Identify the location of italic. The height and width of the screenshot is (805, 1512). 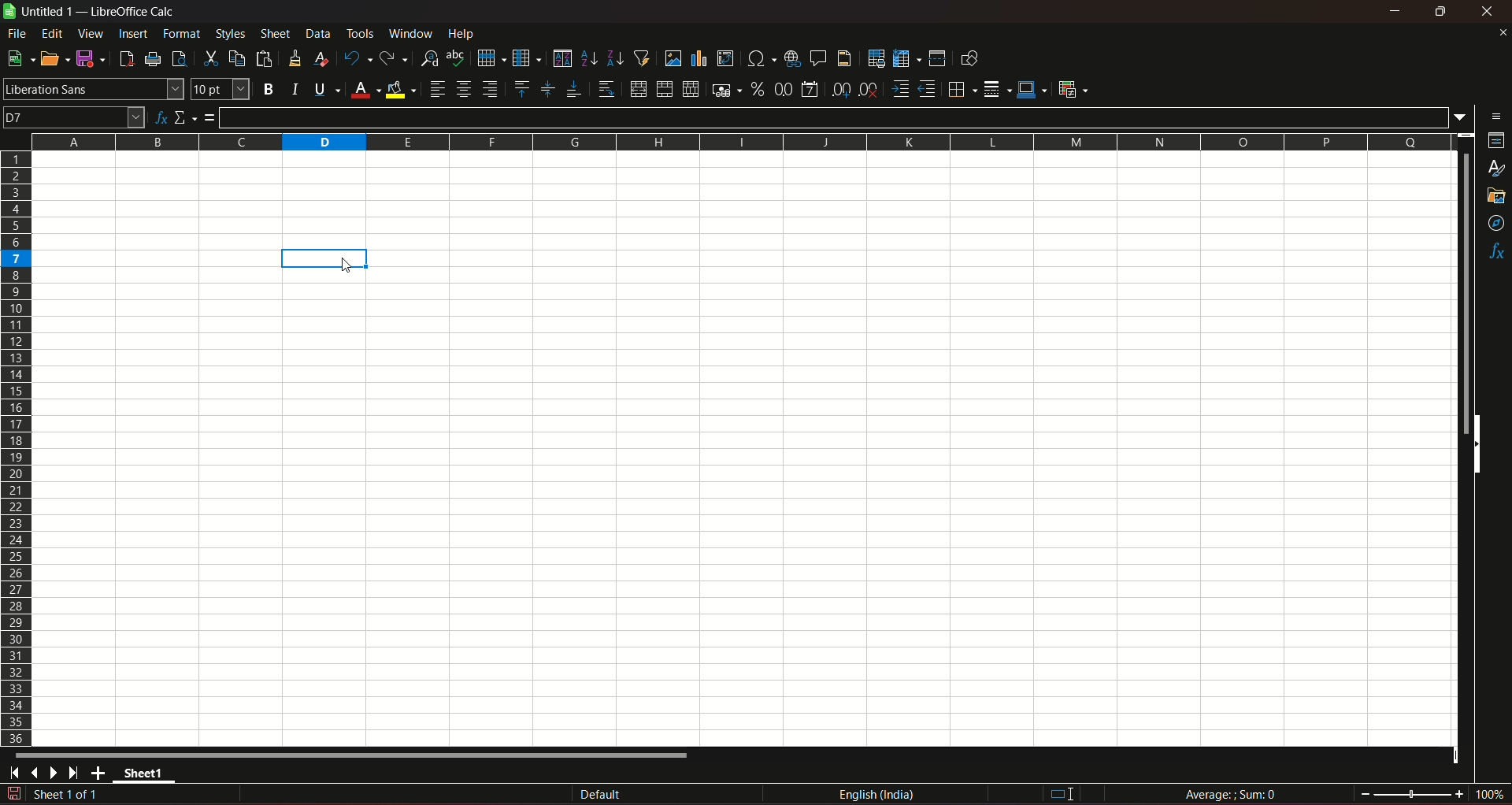
(295, 88).